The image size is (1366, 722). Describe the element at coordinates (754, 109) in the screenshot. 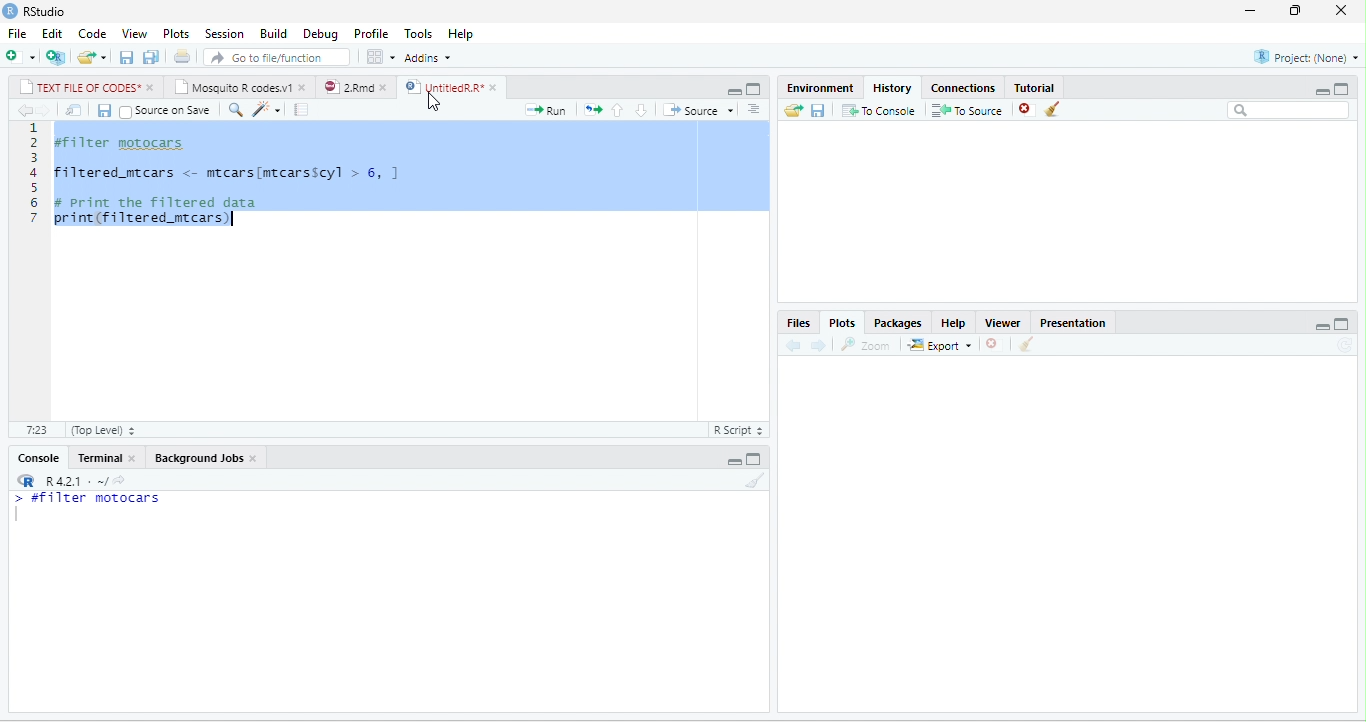

I see `options` at that location.